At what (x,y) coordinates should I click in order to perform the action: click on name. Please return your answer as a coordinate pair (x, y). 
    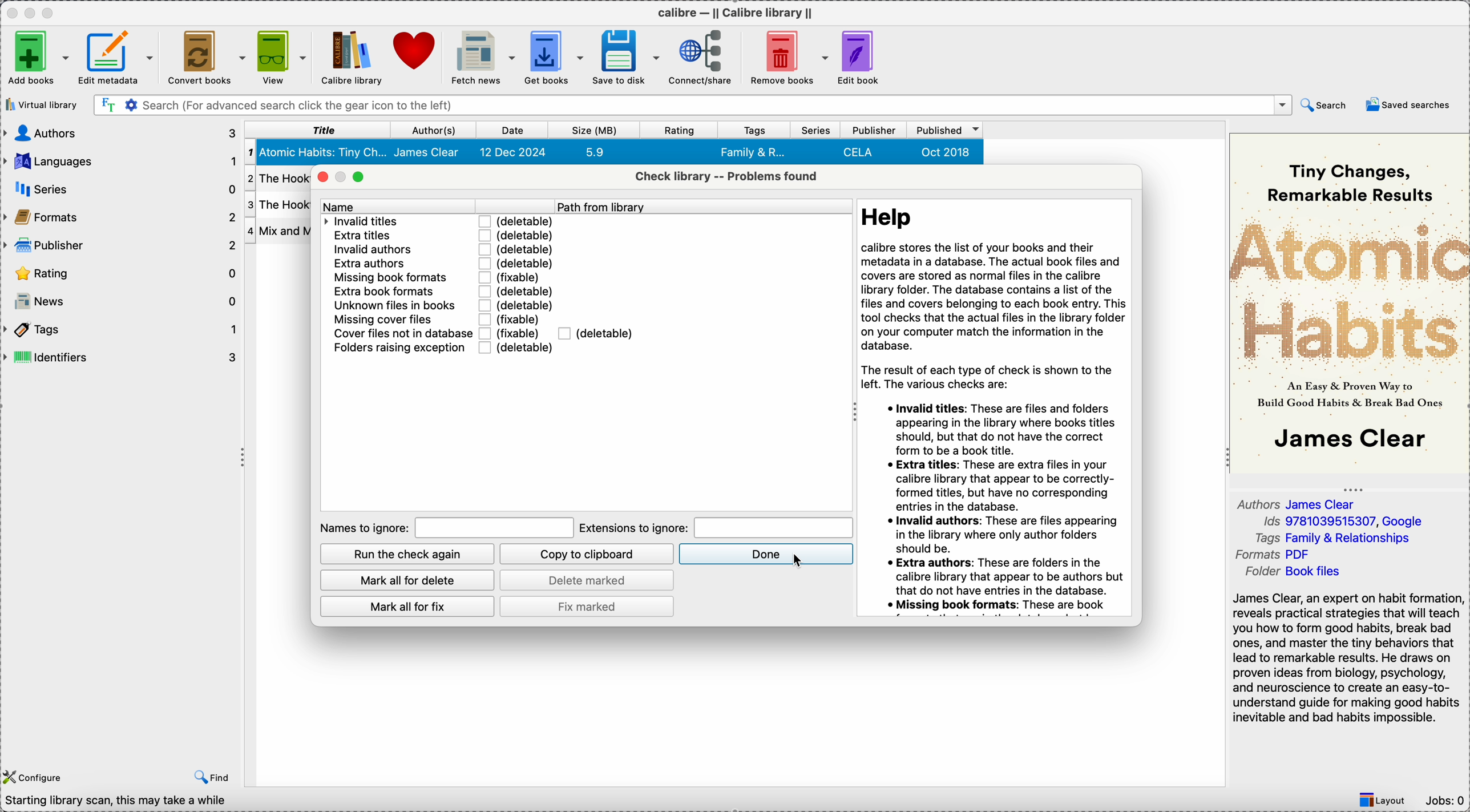
    Looking at the image, I should click on (435, 205).